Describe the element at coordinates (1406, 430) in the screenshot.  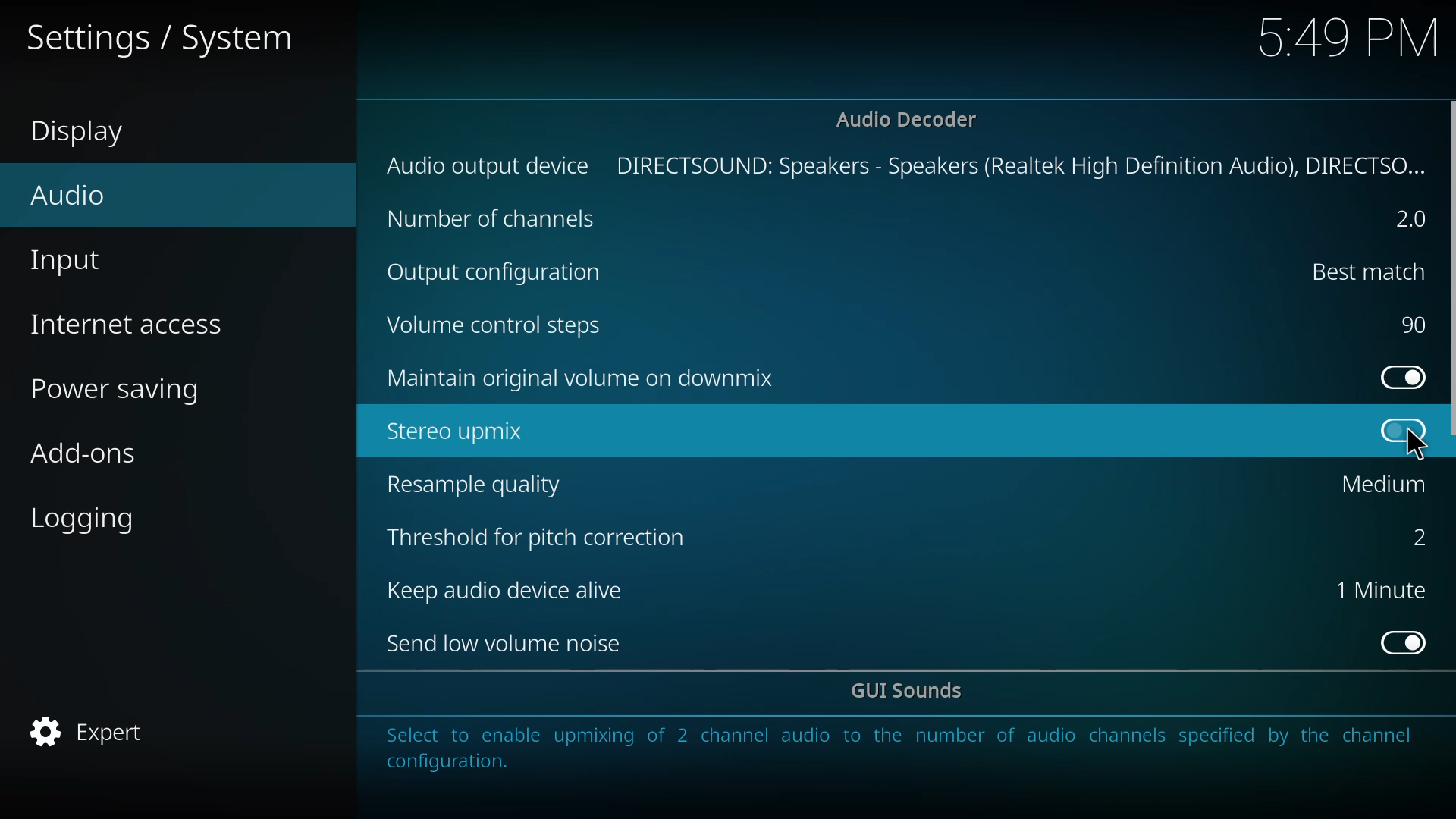
I see `click` at that location.